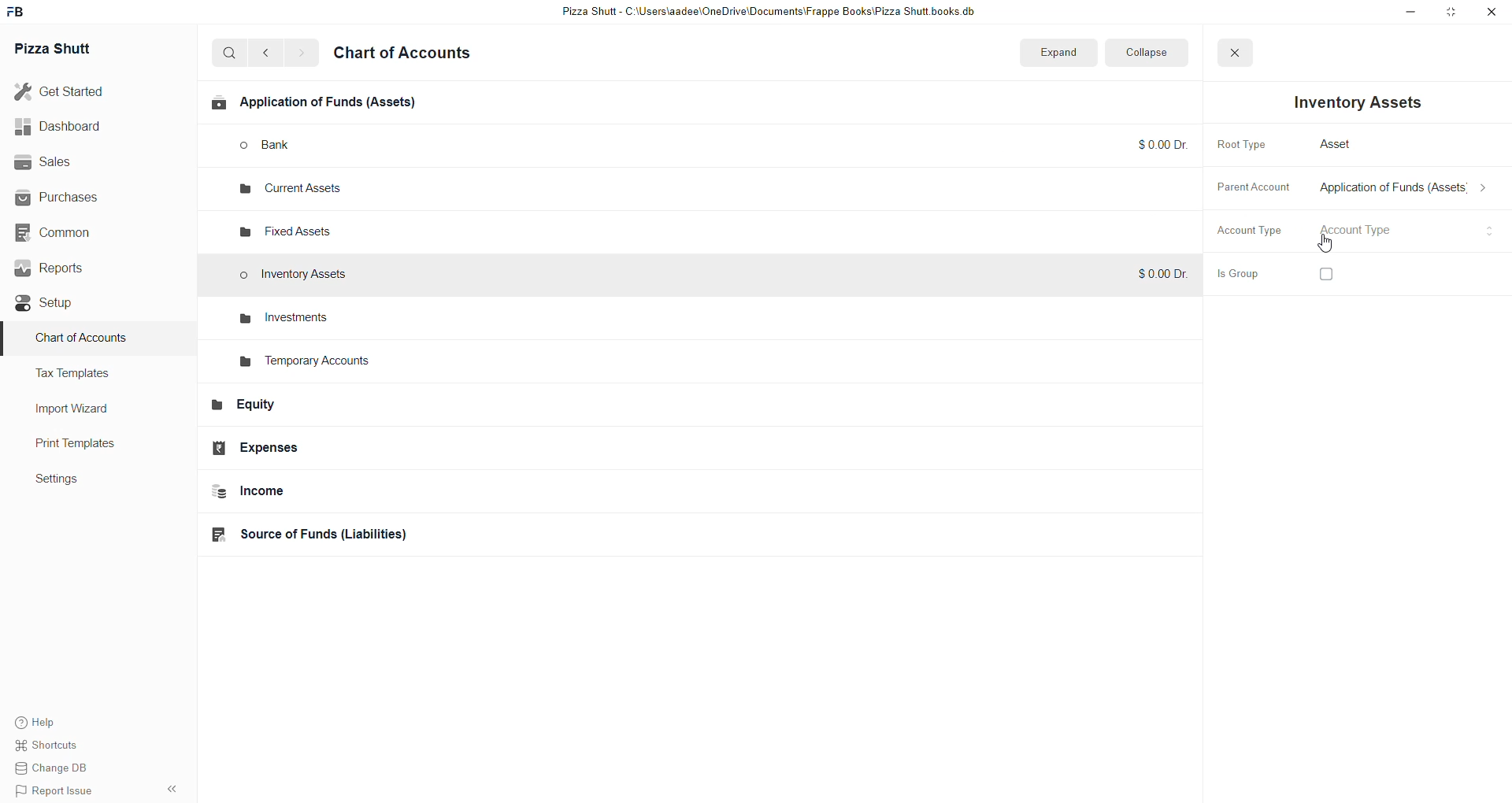 The height and width of the screenshot is (803, 1512). What do you see at coordinates (1369, 231) in the screenshot?
I see `select account type` at bounding box center [1369, 231].